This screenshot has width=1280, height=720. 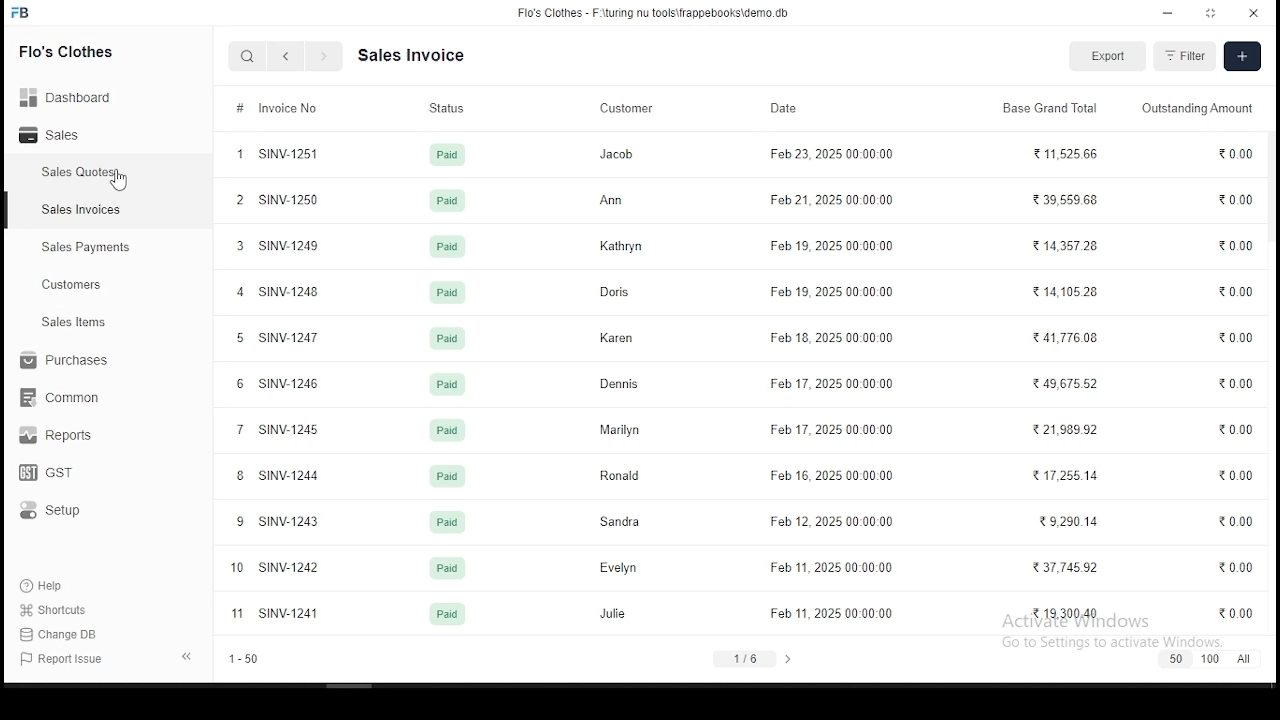 What do you see at coordinates (284, 153) in the screenshot?
I see `1 SINVA251` at bounding box center [284, 153].